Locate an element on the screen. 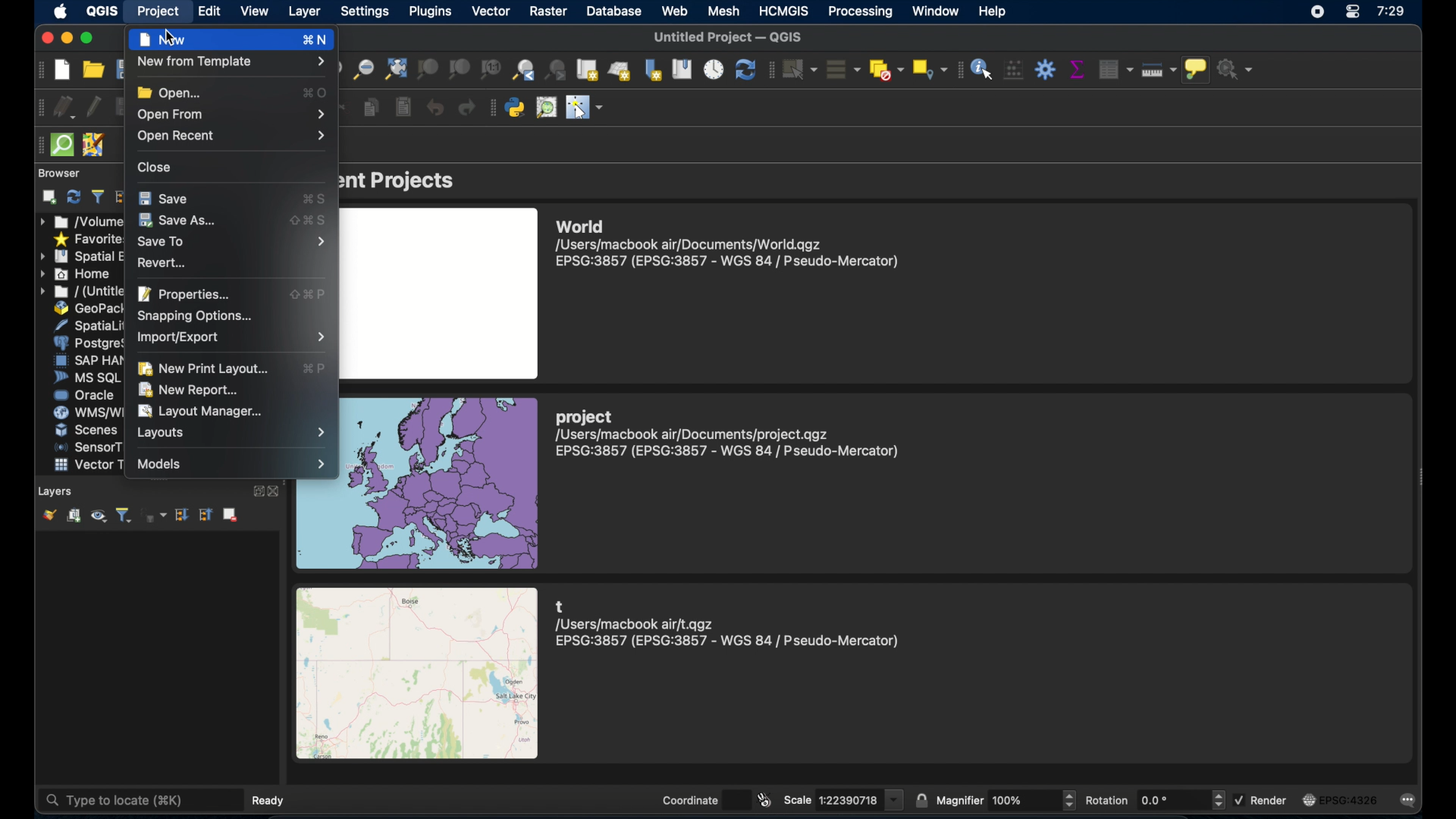 The height and width of the screenshot is (819, 1456). icon is located at coordinates (61, 221).